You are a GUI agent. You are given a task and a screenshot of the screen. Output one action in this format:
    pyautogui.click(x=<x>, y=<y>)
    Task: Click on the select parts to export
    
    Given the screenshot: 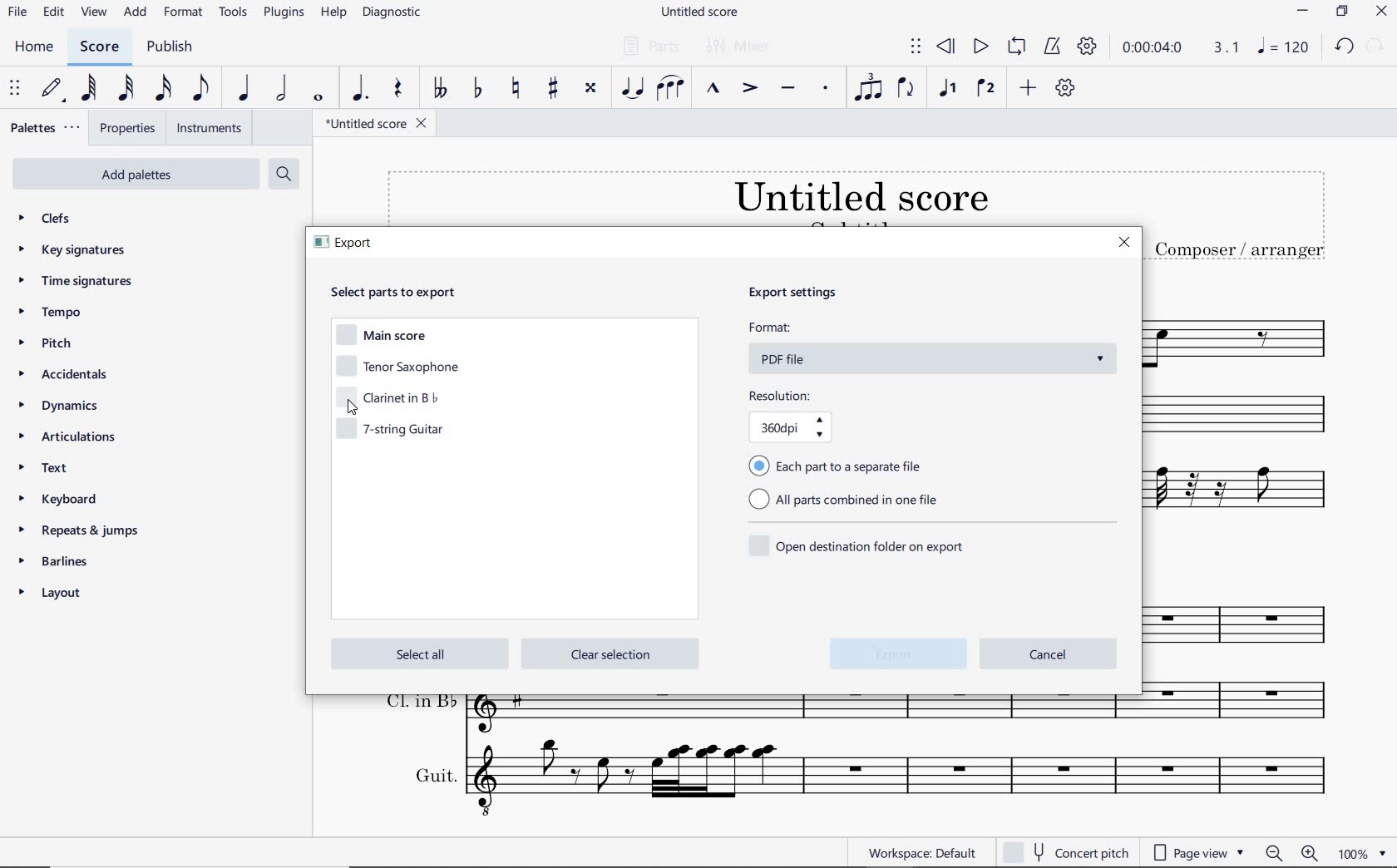 What is the action you would take?
    pyautogui.click(x=404, y=292)
    